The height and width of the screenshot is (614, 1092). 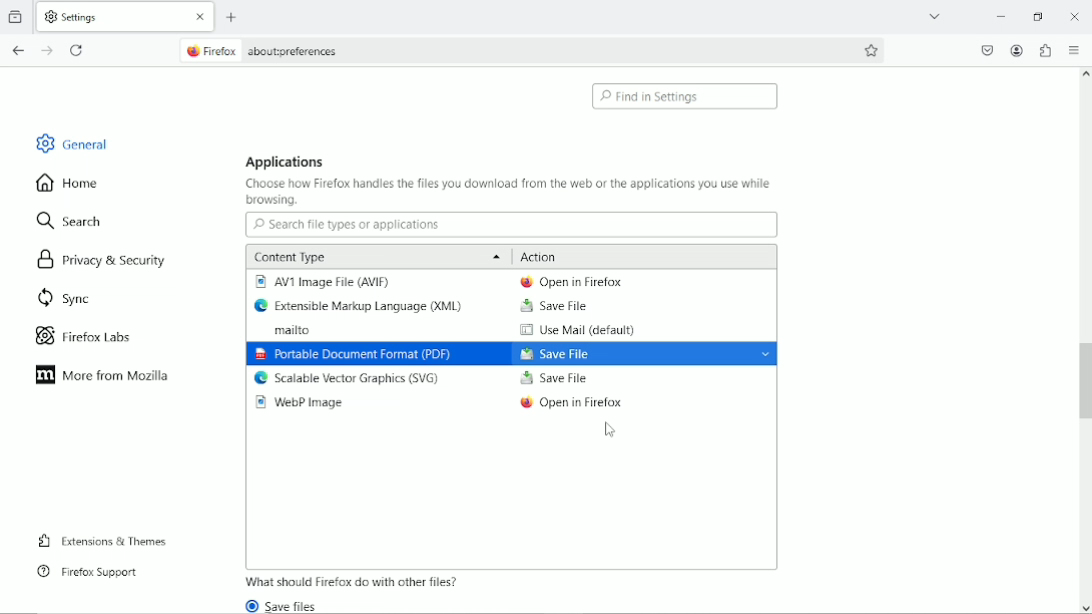 I want to click on Content type, so click(x=374, y=256).